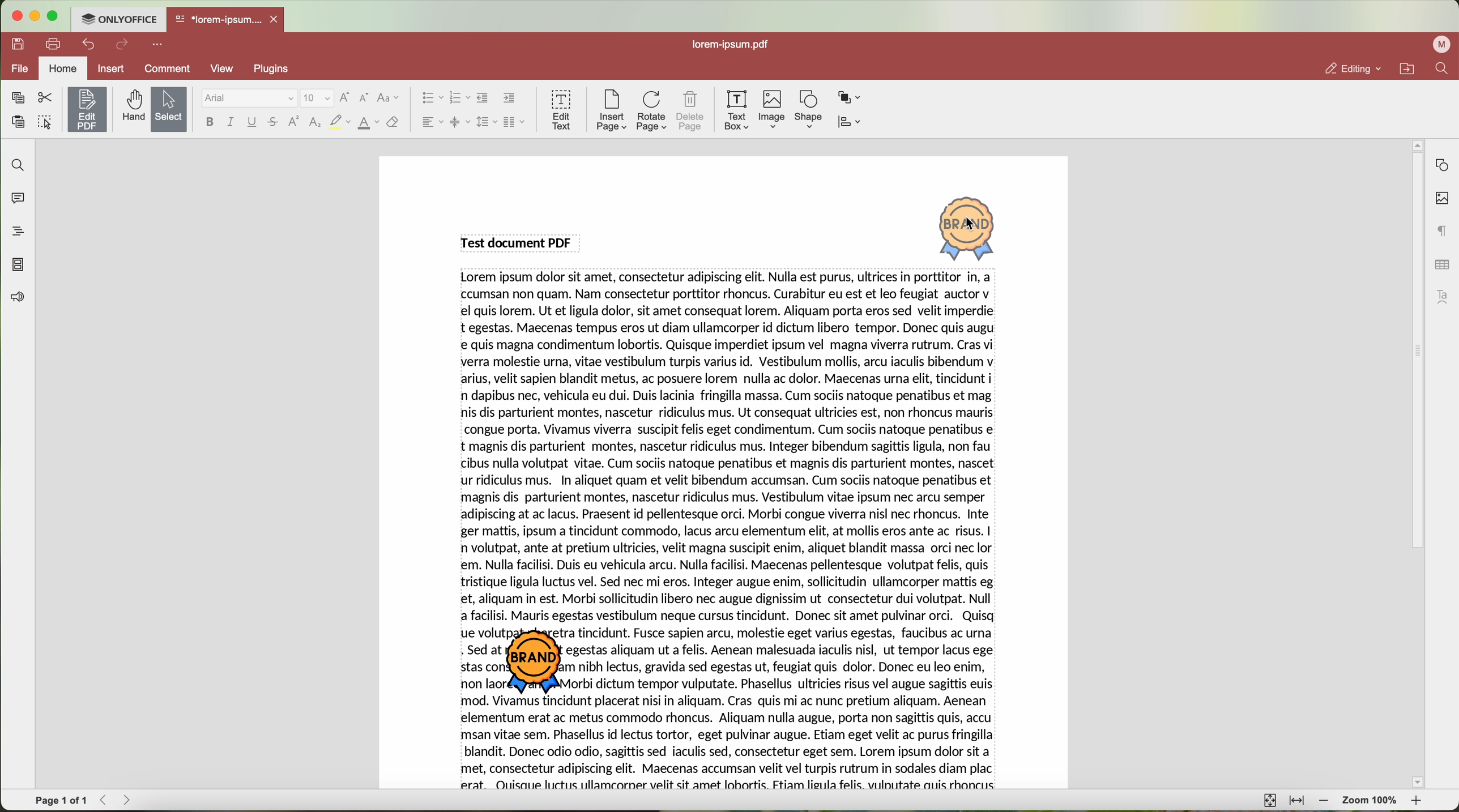  I want to click on insert page, so click(611, 110).